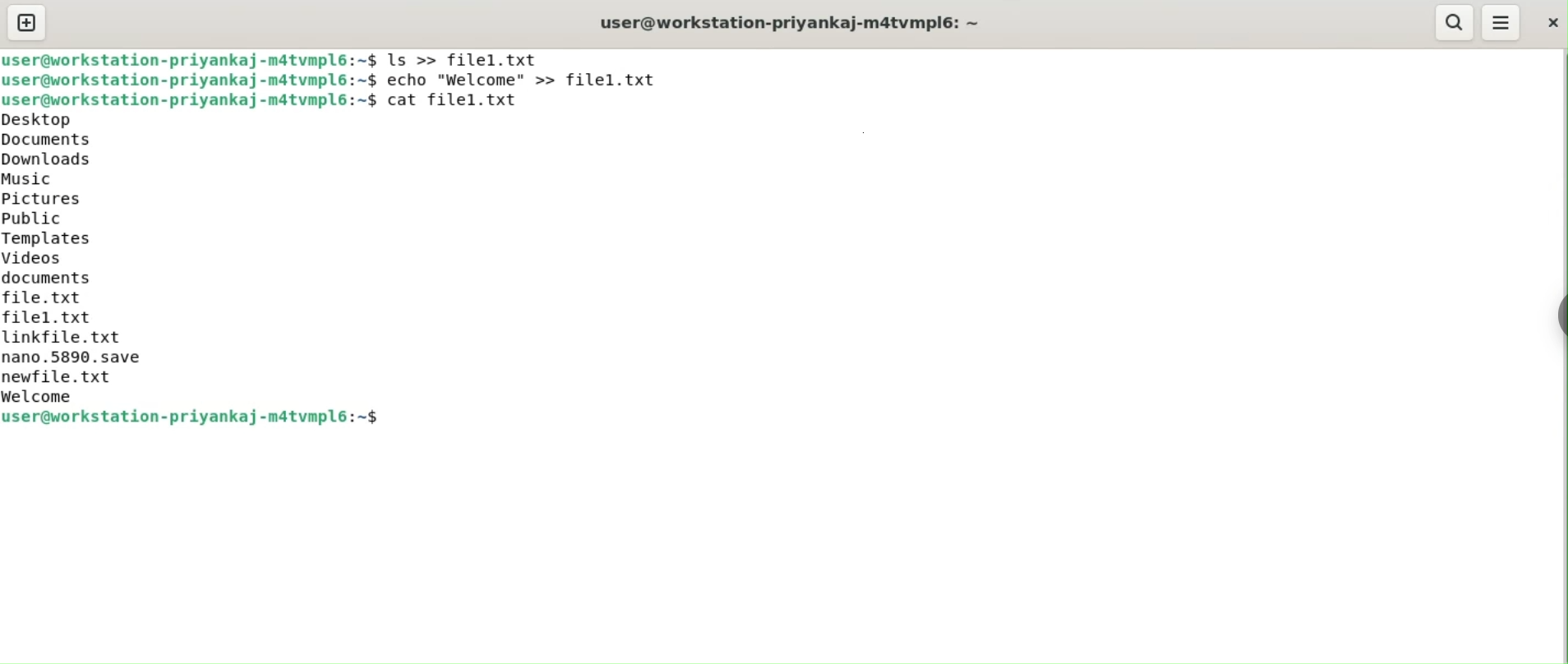 Image resolution: width=1568 pixels, height=664 pixels. Describe the element at coordinates (69, 398) in the screenshot. I see `welcome` at that location.